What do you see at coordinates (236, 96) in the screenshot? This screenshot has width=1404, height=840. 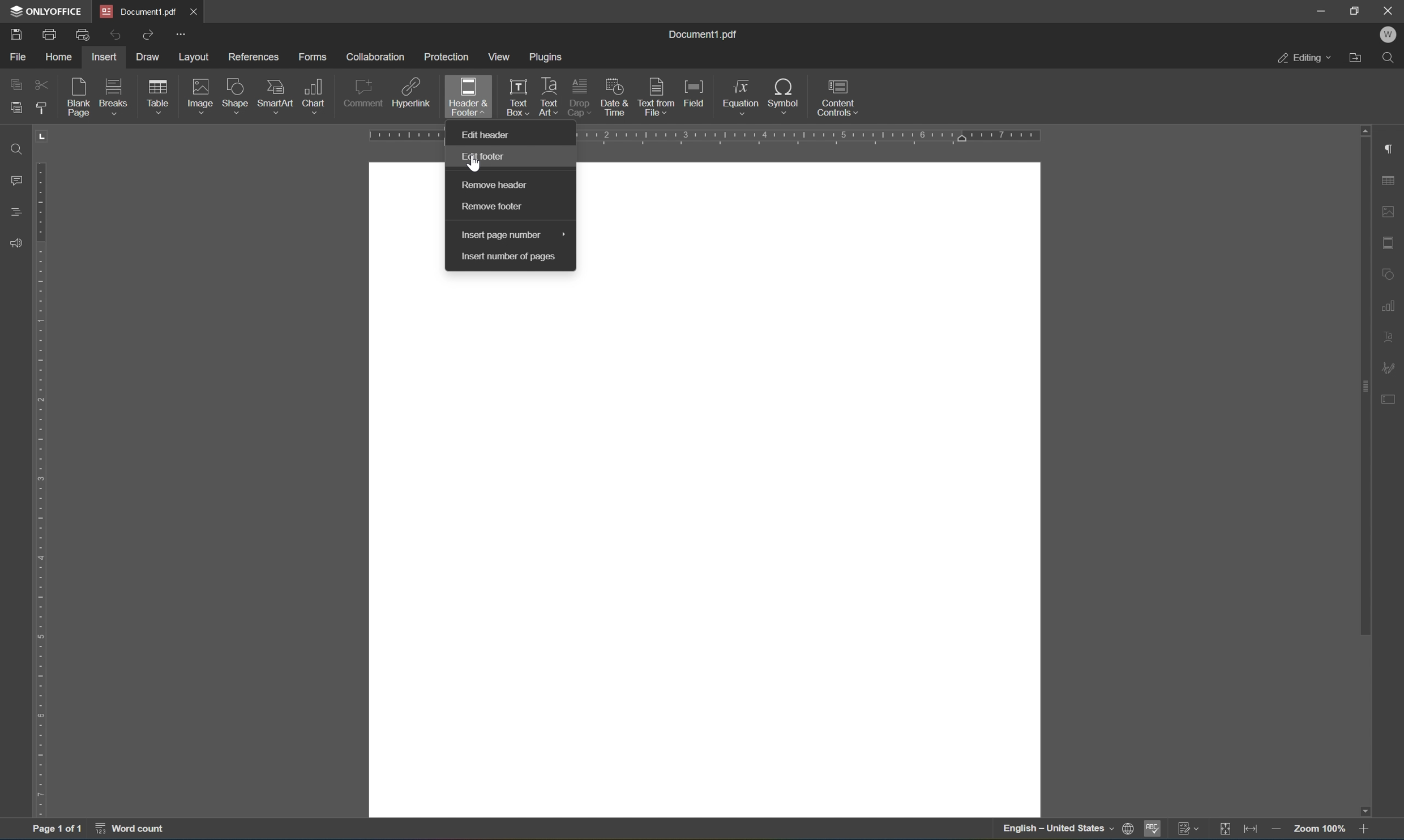 I see `shape` at bounding box center [236, 96].